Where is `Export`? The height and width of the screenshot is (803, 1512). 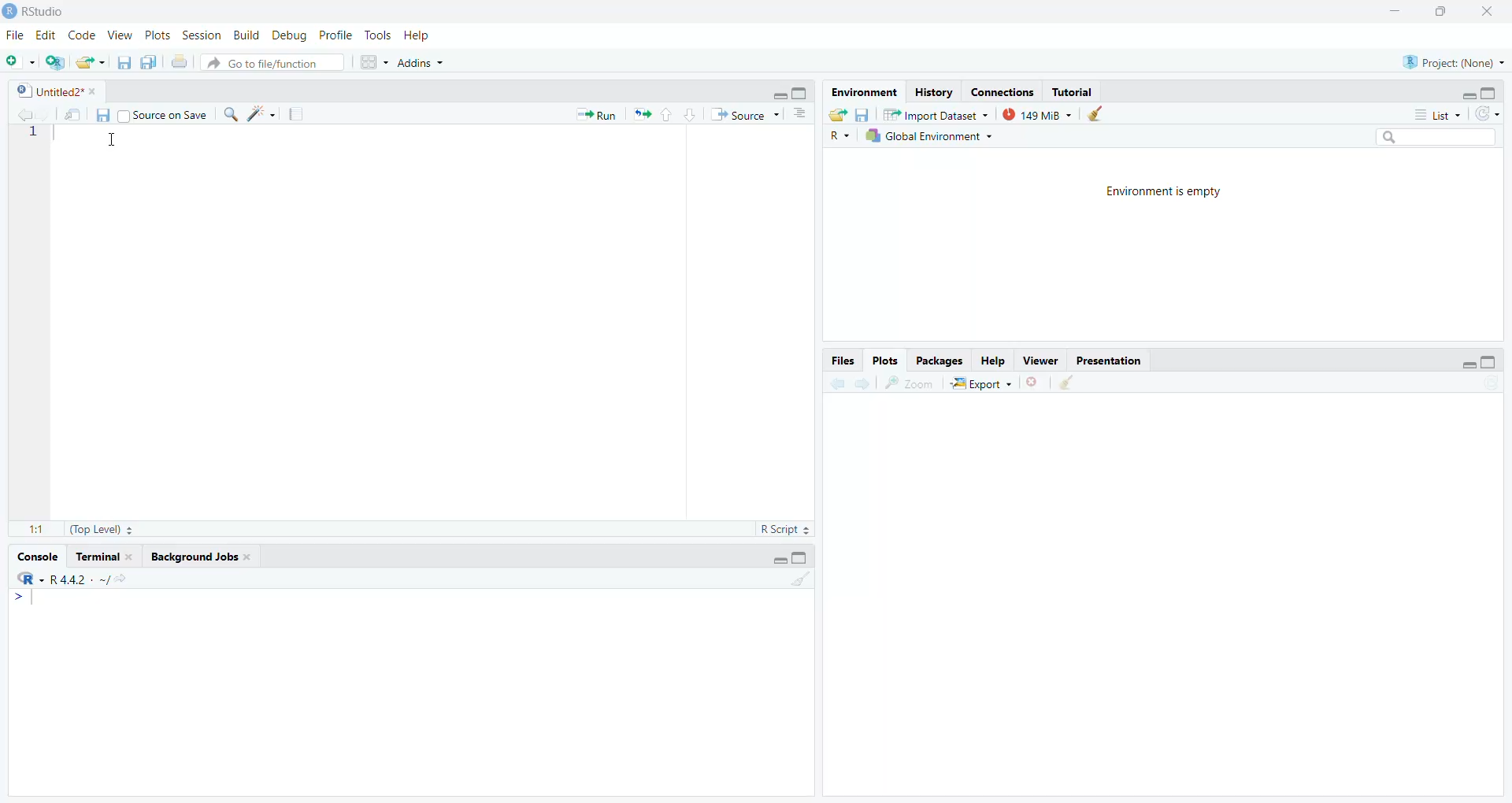
Export is located at coordinates (982, 381).